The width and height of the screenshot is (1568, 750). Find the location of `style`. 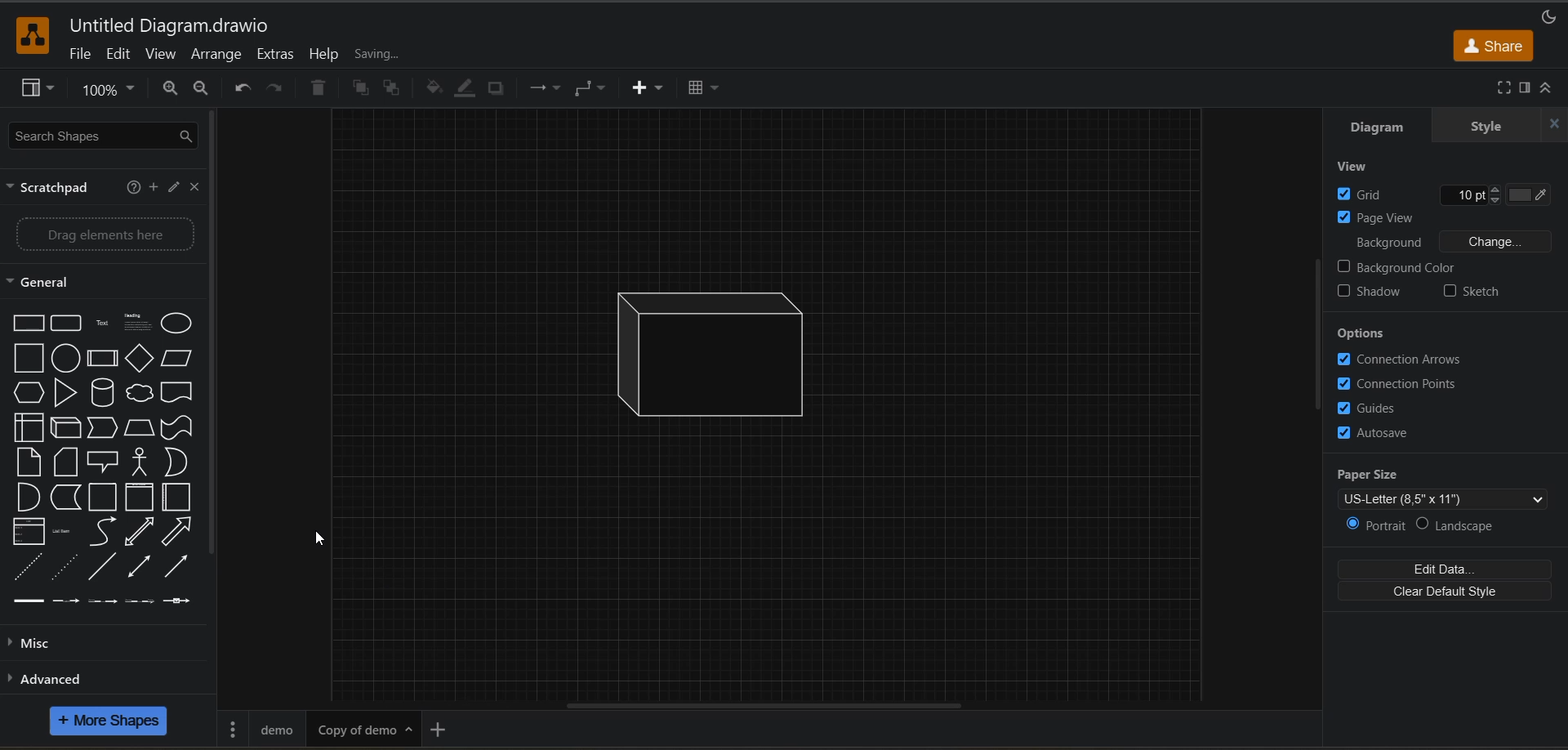

style is located at coordinates (1490, 128).